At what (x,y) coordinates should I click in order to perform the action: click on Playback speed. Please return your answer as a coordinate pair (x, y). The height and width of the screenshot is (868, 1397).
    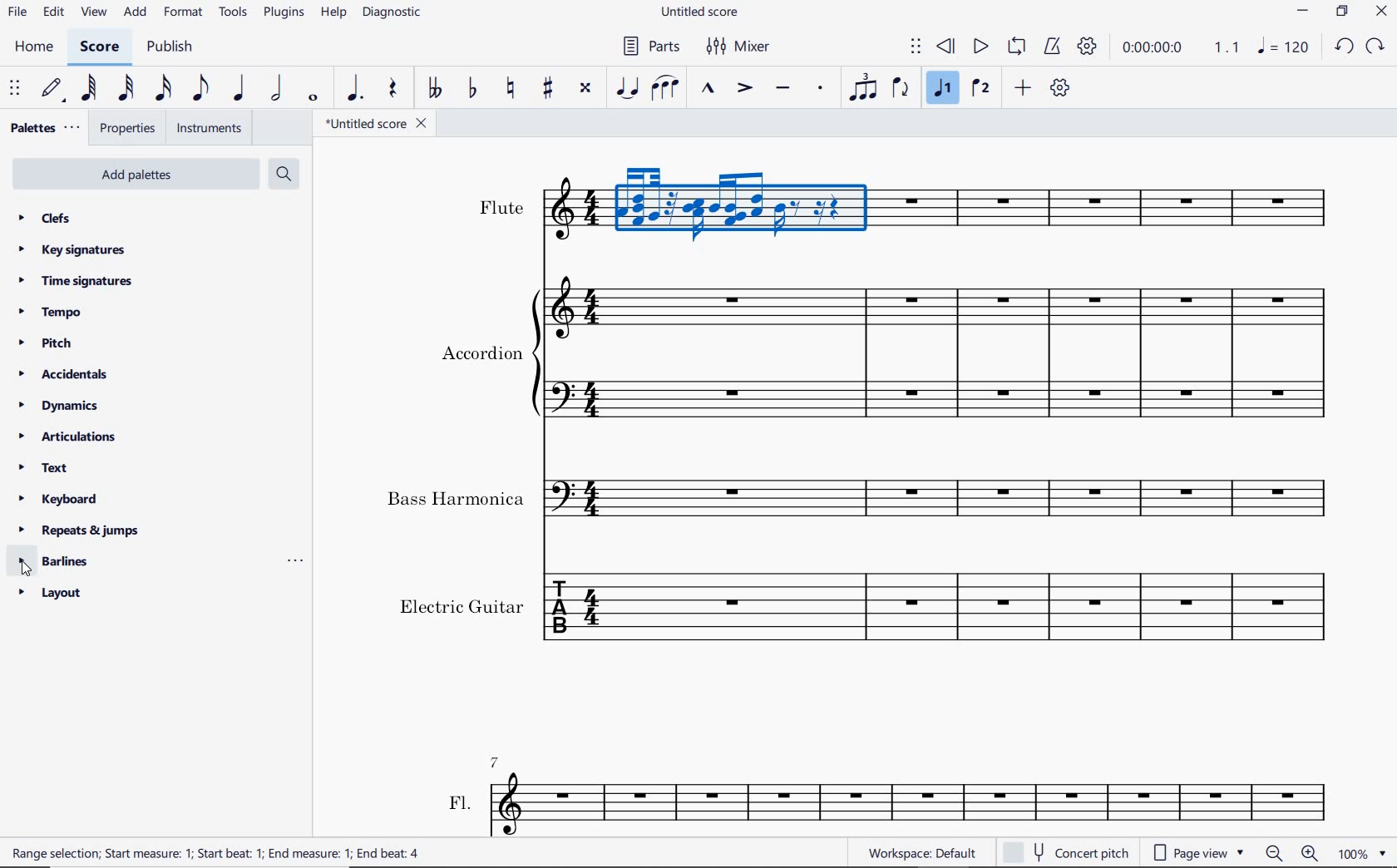
    Looking at the image, I should click on (1228, 47).